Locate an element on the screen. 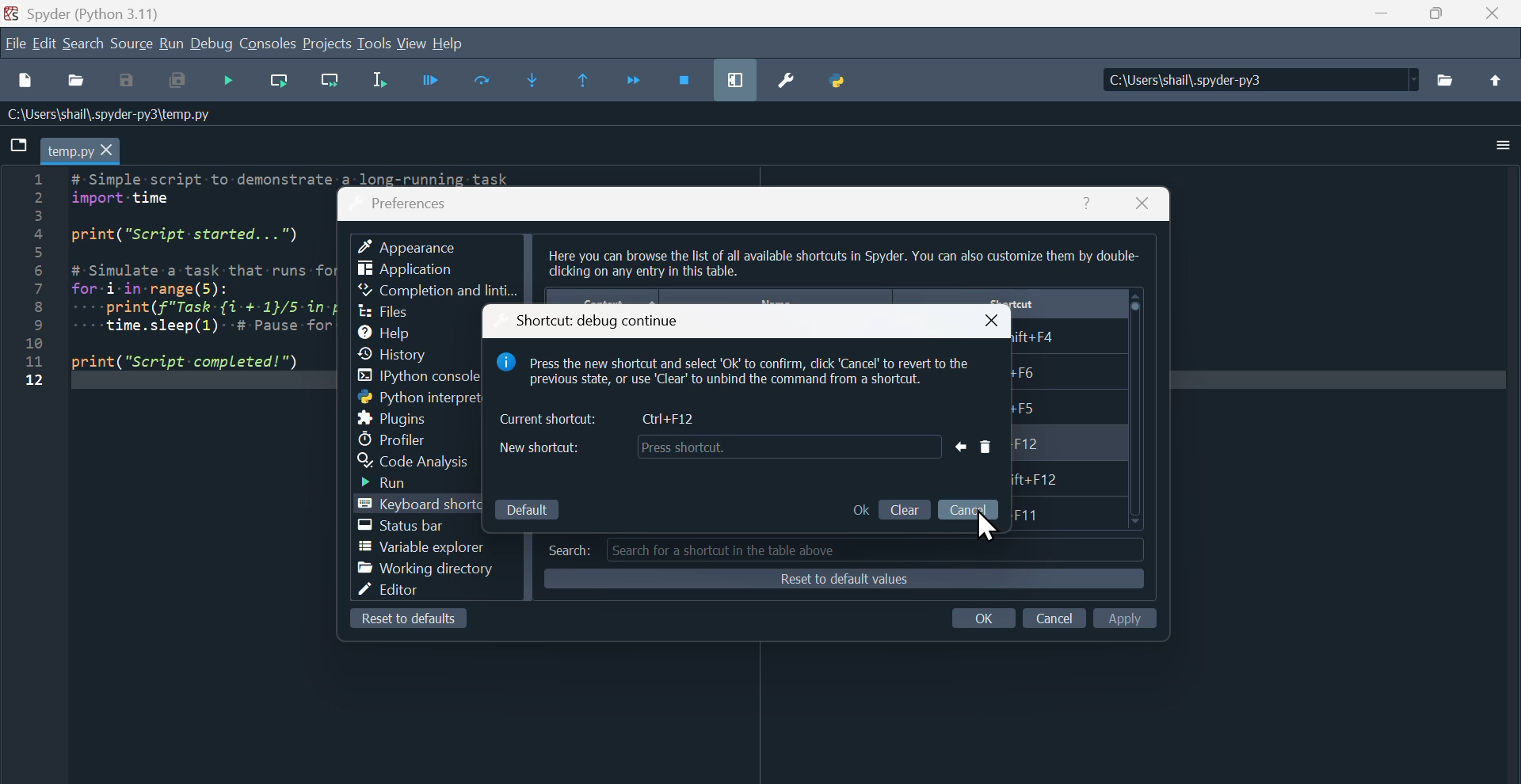  run is located at coordinates (170, 42).